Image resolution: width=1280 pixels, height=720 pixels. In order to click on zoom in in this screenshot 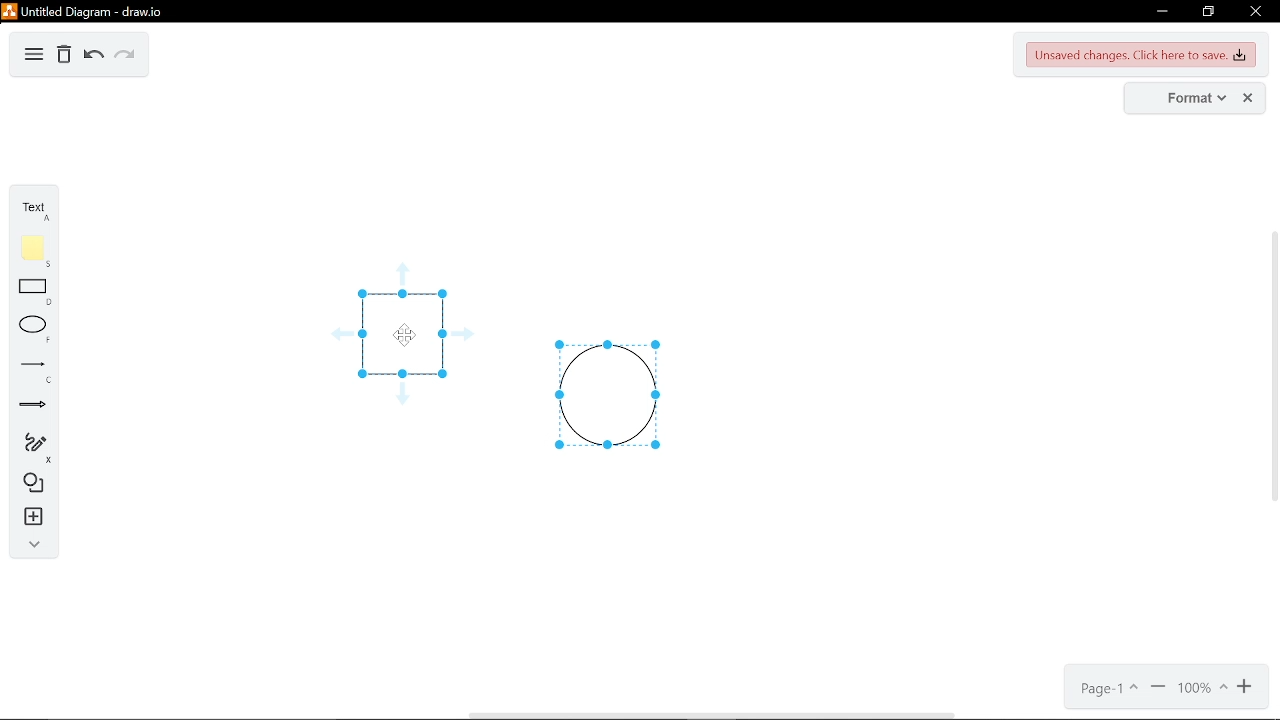, I will do `click(1246, 690)`.